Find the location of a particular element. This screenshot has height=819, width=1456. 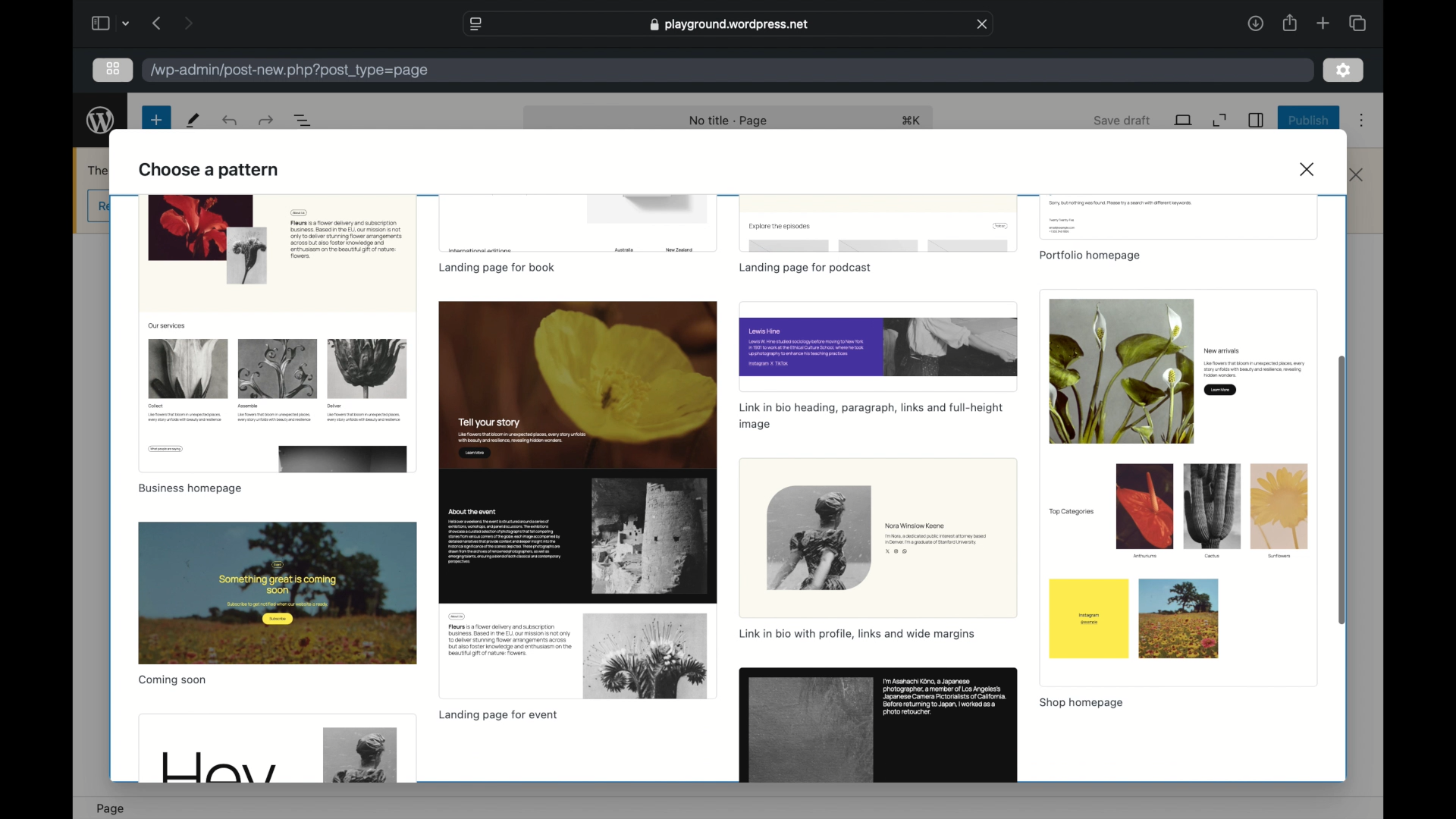

website settings is located at coordinates (475, 24).